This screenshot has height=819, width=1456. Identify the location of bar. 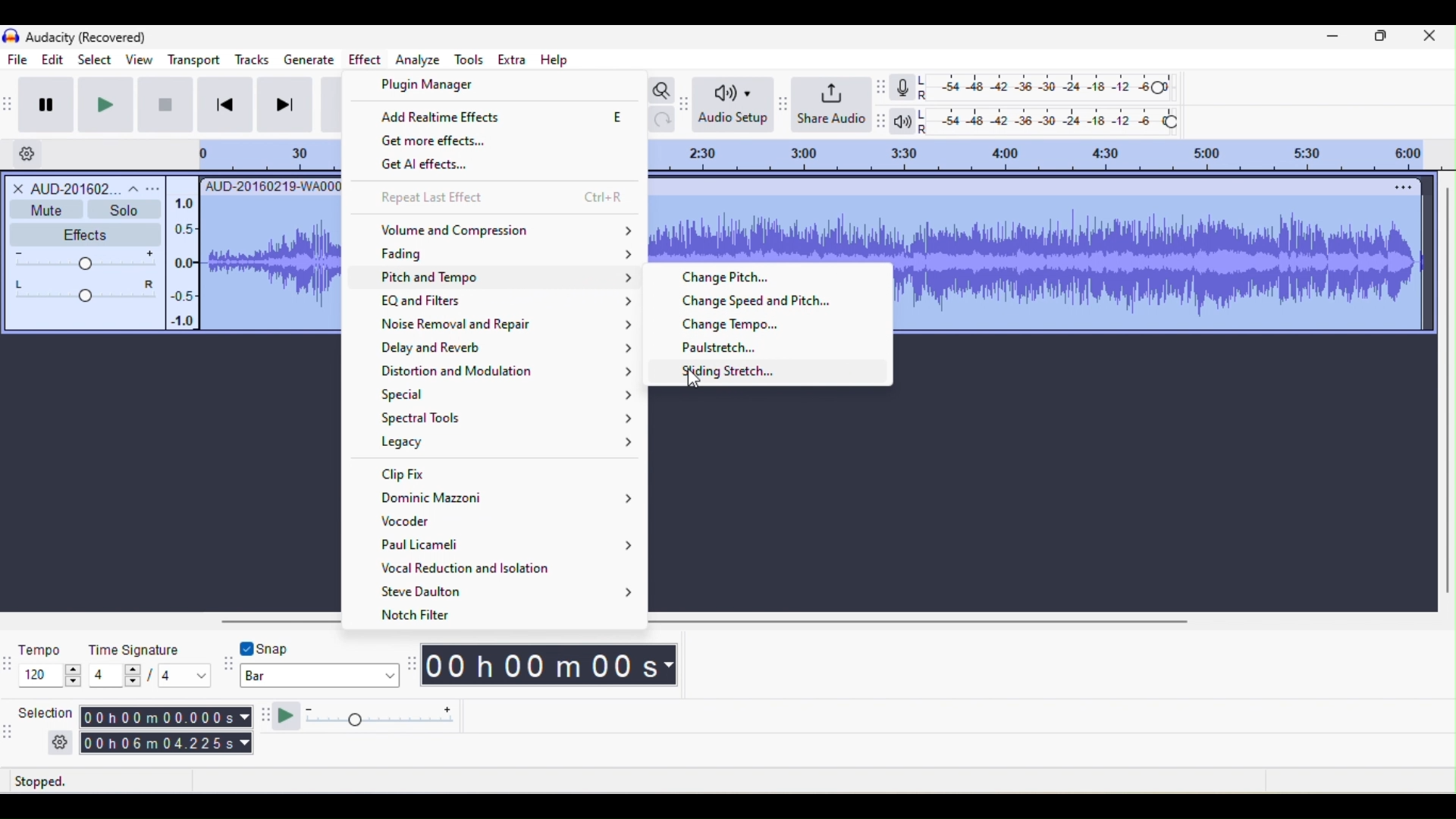
(319, 676).